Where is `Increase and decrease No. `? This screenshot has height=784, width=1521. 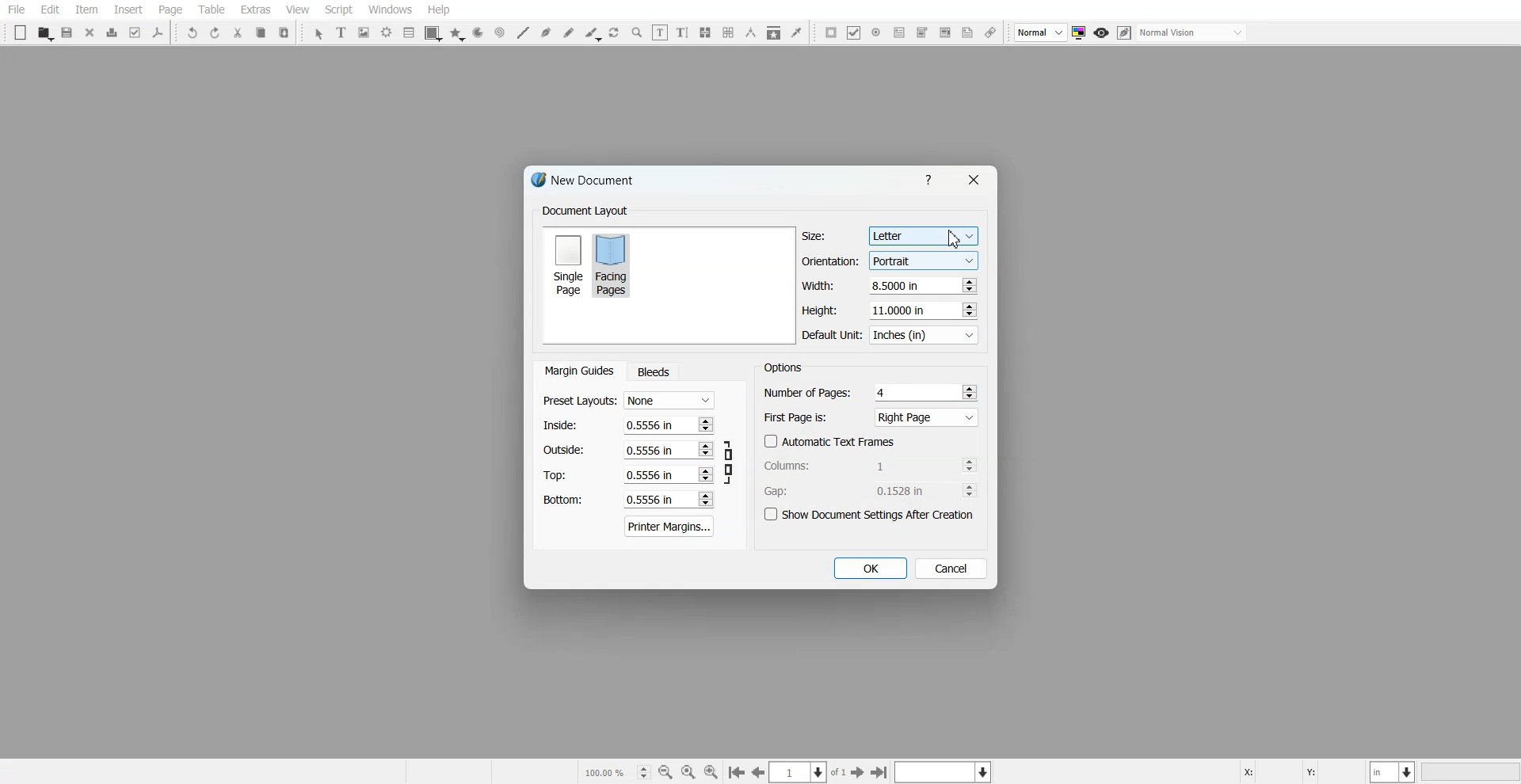
Increase and decrease No.  is located at coordinates (704, 424).